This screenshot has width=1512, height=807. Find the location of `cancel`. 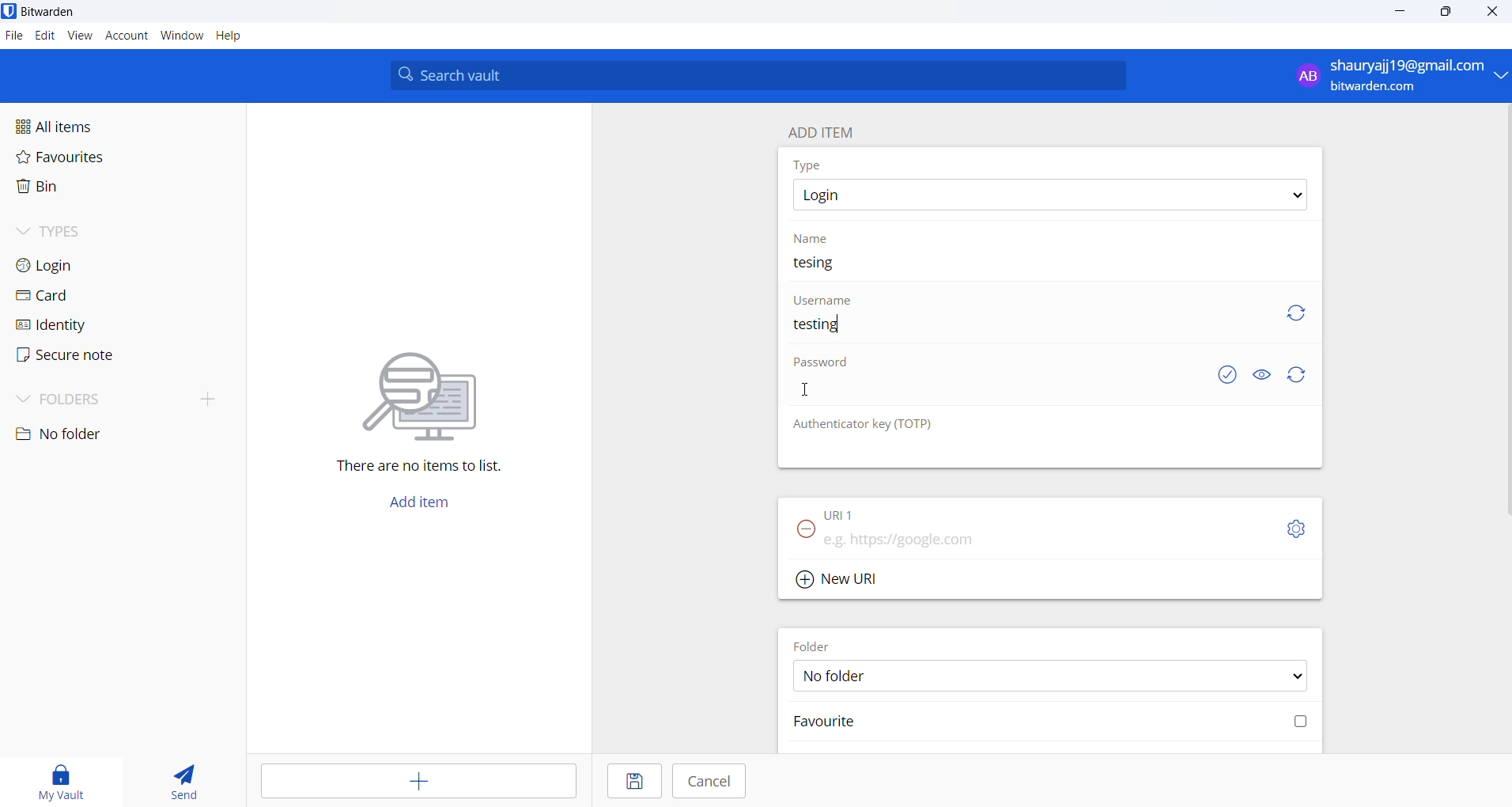

cancel is located at coordinates (709, 781).